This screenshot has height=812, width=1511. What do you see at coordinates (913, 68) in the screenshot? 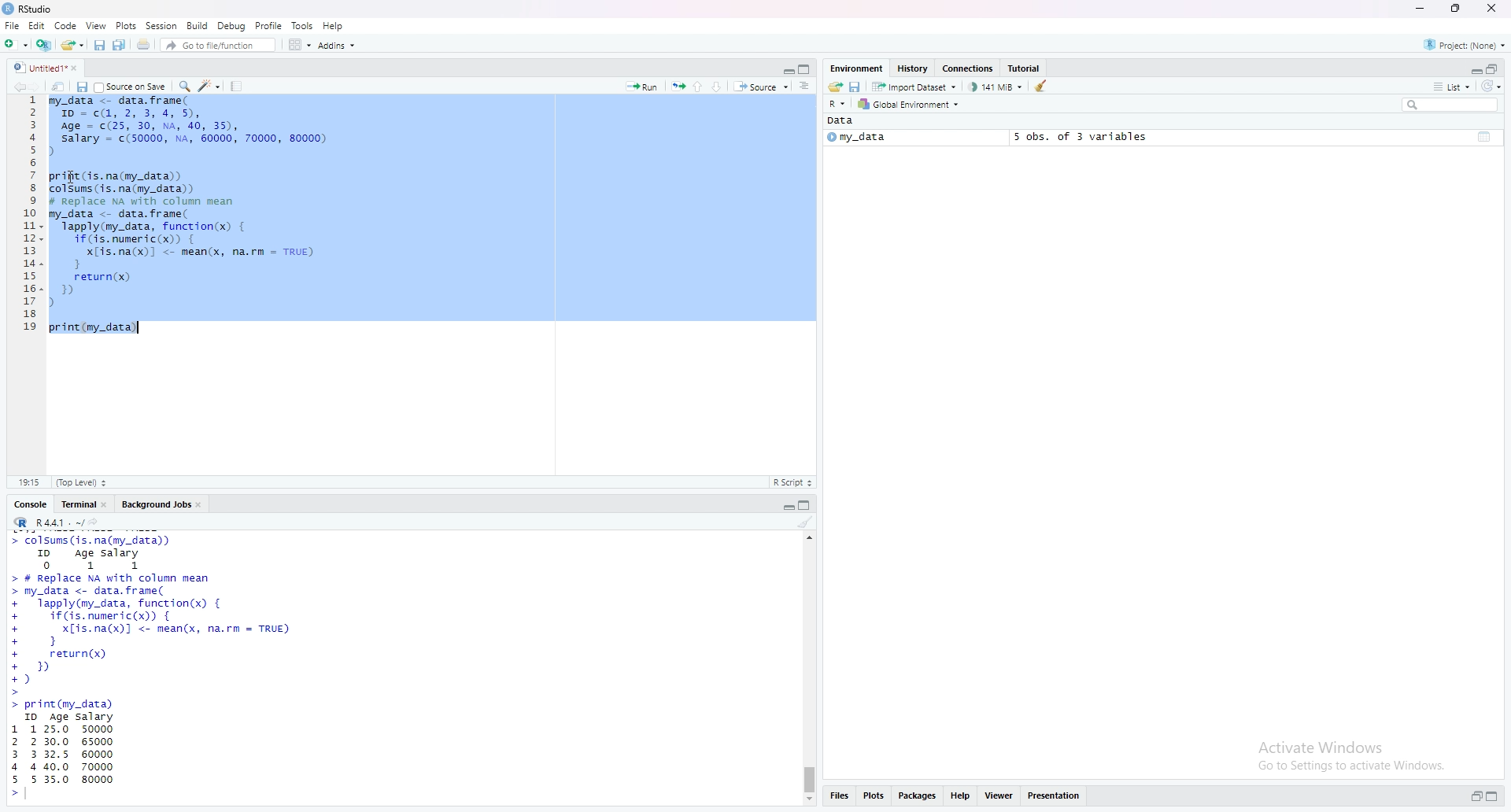
I see `history` at bounding box center [913, 68].